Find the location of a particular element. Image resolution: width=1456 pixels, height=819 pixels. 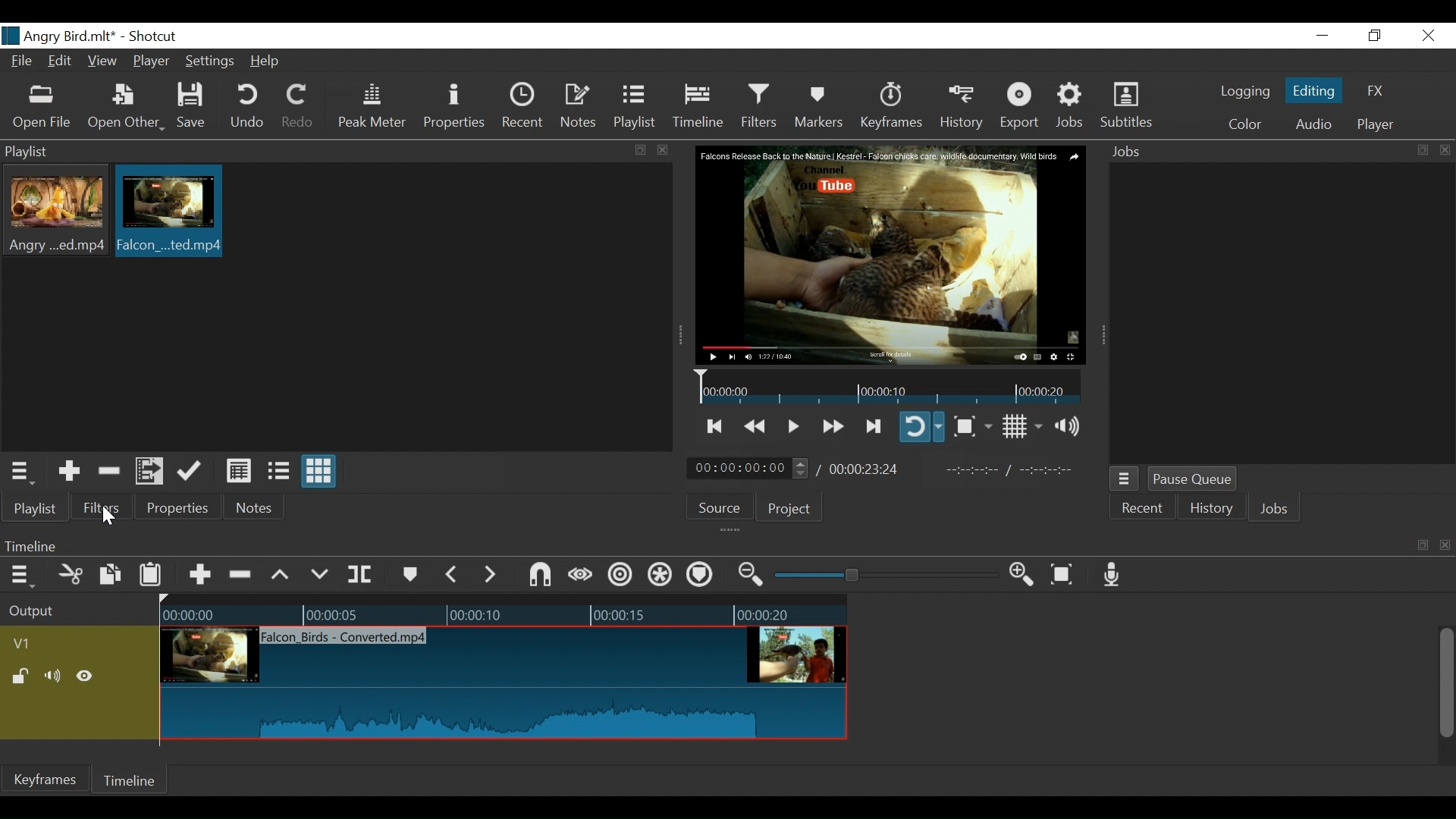

Next Marker is located at coordinates (492, 574).